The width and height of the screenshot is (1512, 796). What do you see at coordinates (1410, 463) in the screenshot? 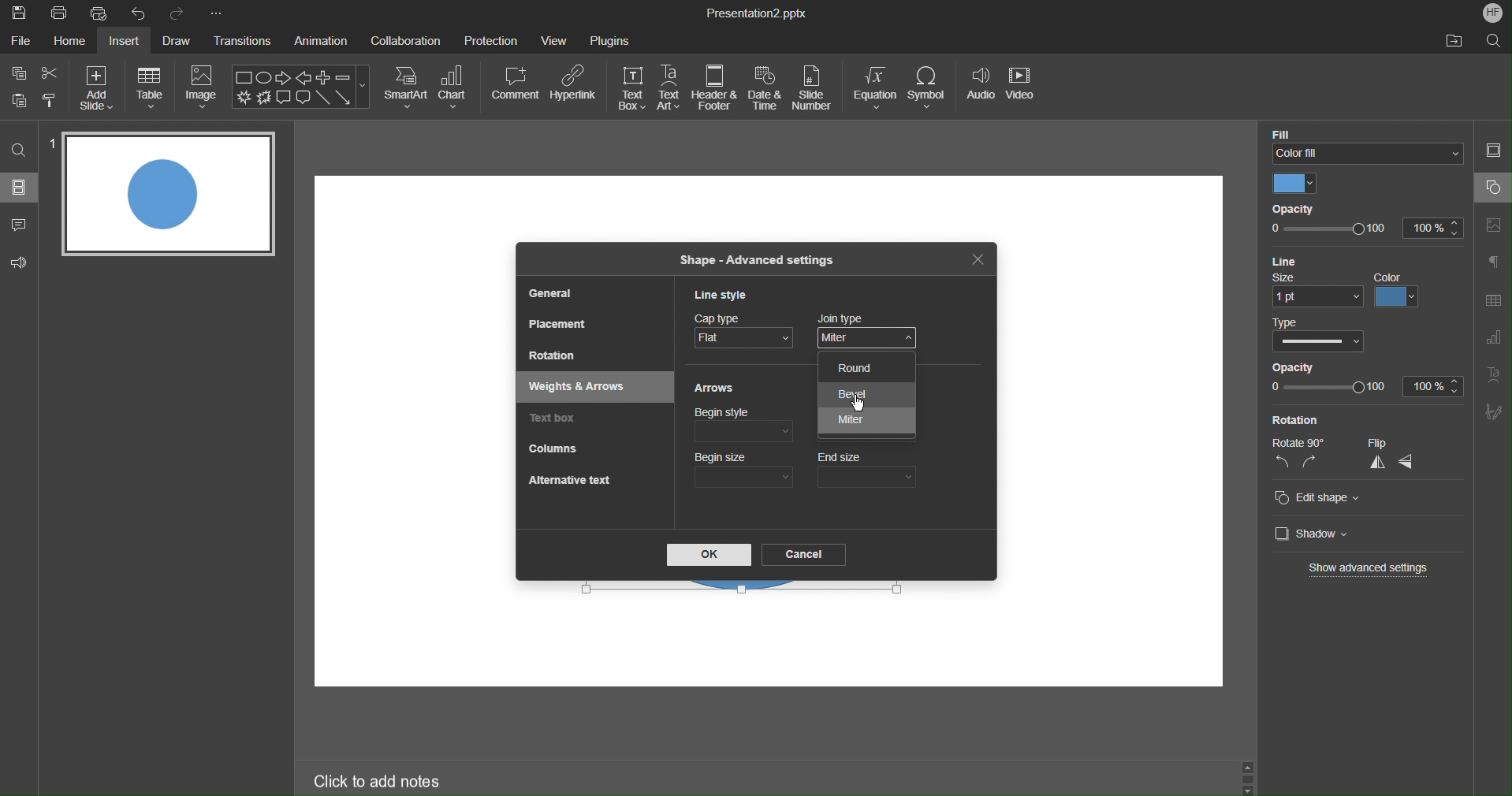
I see `horizontal` at bounding box center [1410, 463].